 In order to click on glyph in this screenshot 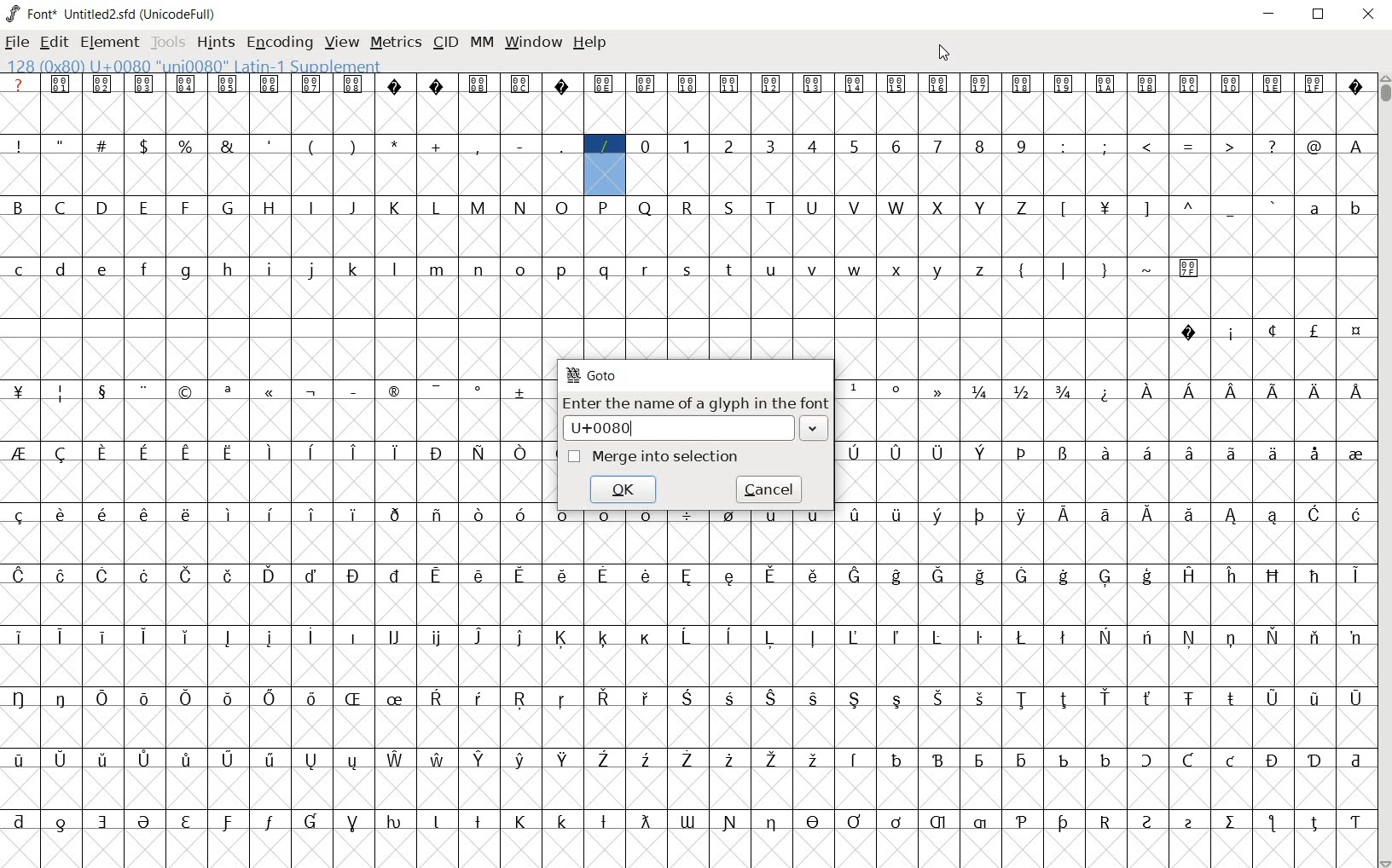, I will do `click(478, 270)`.